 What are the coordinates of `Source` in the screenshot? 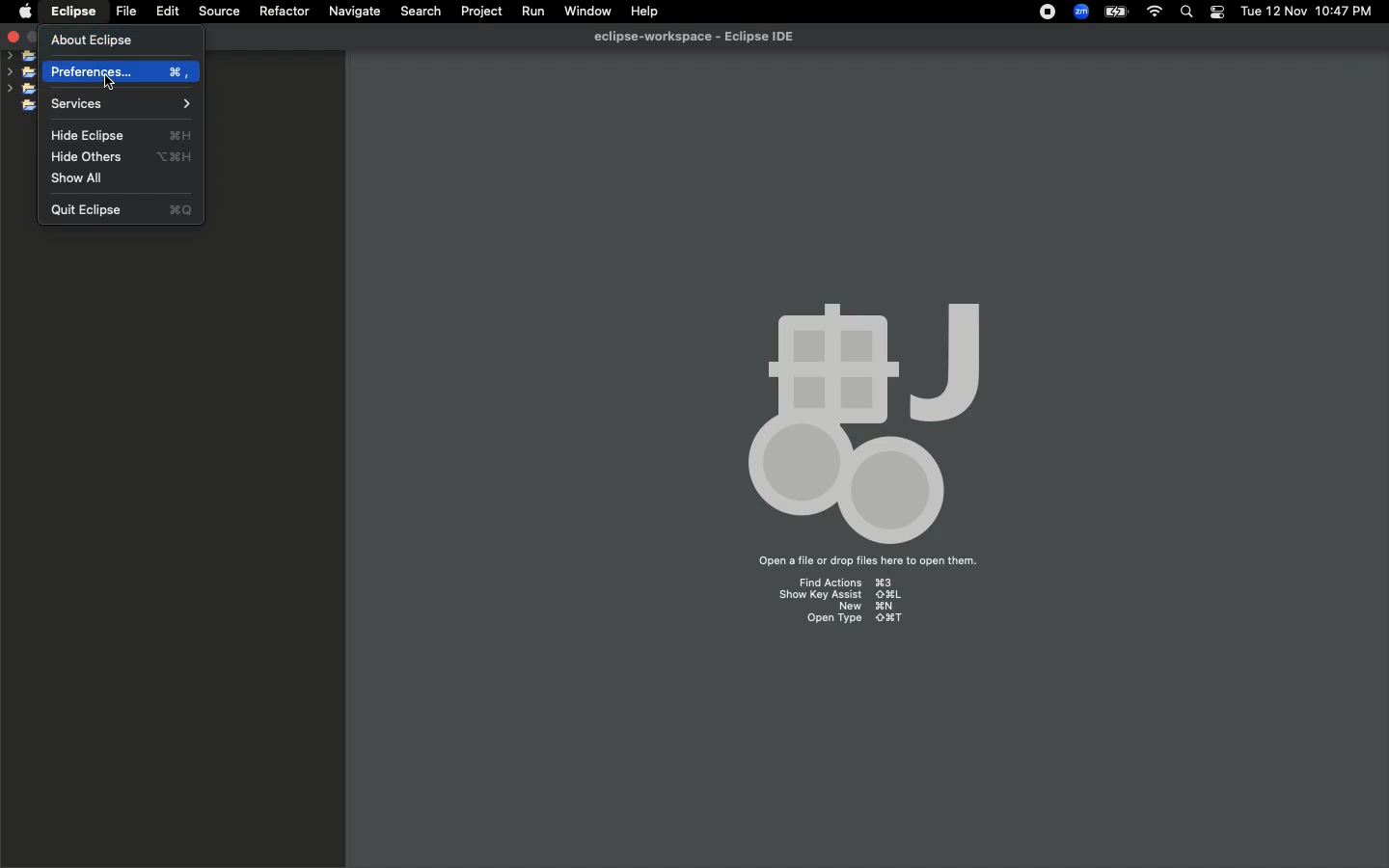 It's located at (216, 12).